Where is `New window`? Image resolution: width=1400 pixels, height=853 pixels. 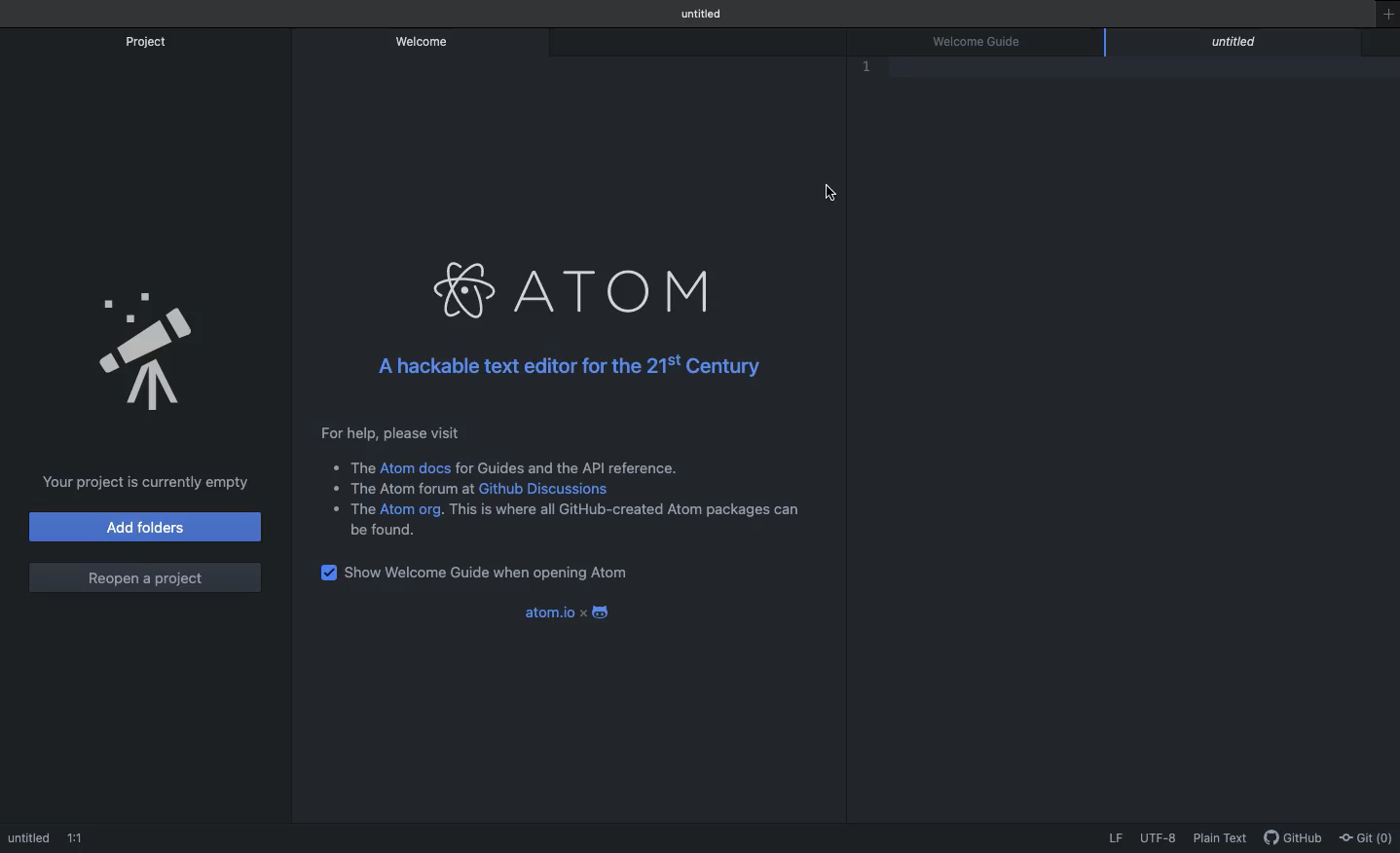 New window is located at coordinates (1385, 22).